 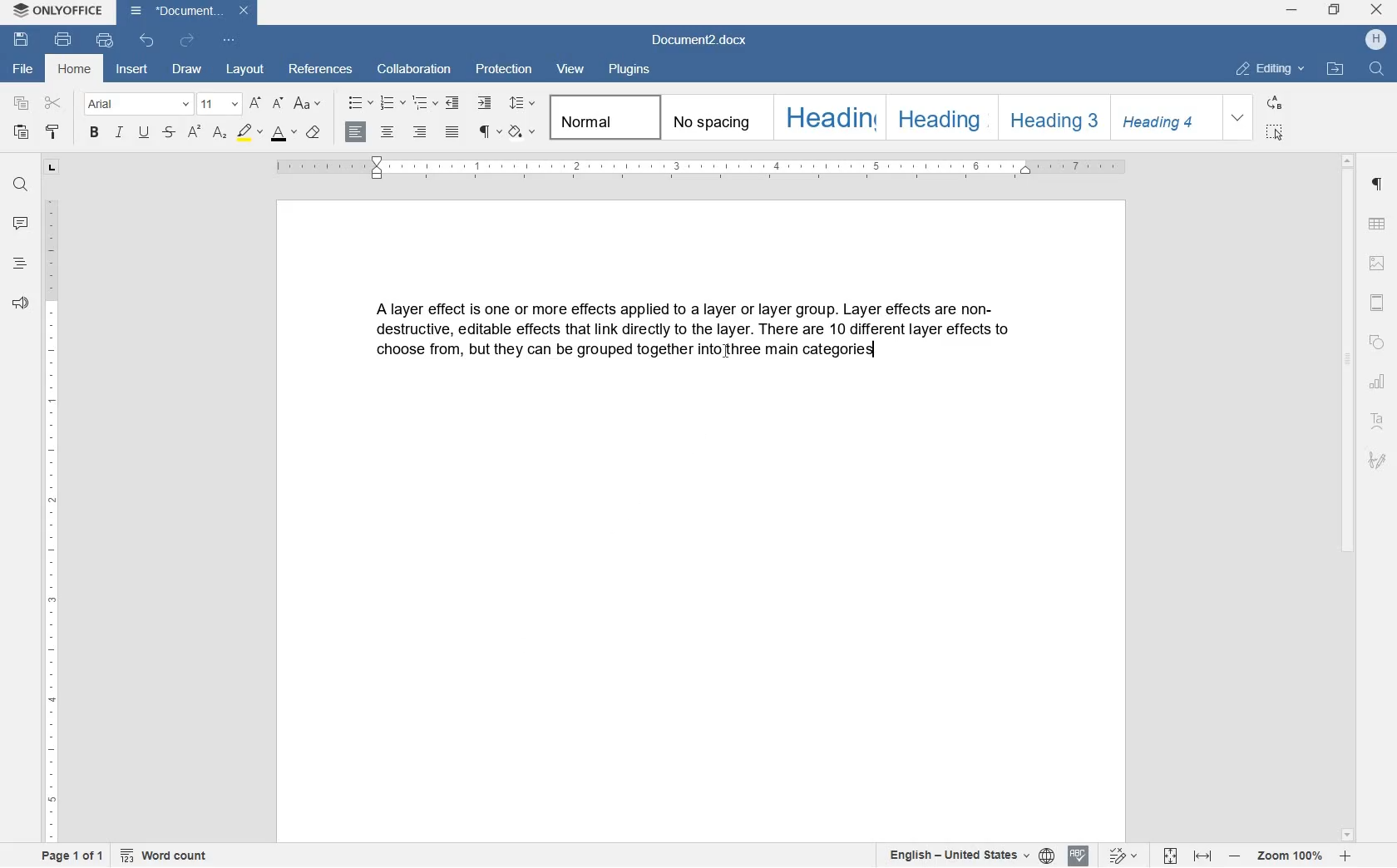 What do you see at coordinates (308, 105) in the screenshot?
I see `change case` at bounding box center [308, 105].